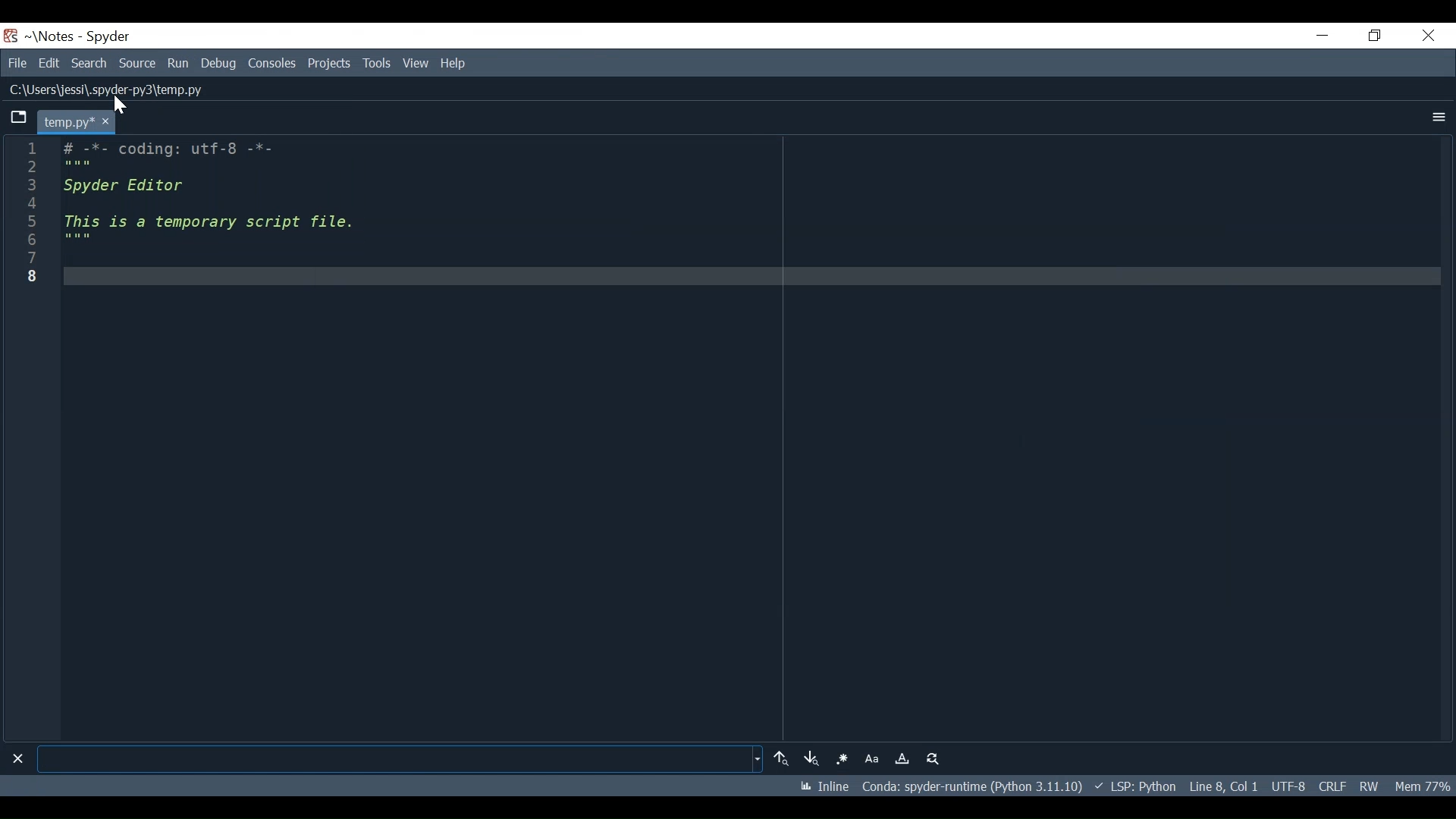 The image size is (1456, 819). What do you see at coordinates (1334, 784) in the screenshot?
I see `File EQL Status` at bounding box center [1334, 784].